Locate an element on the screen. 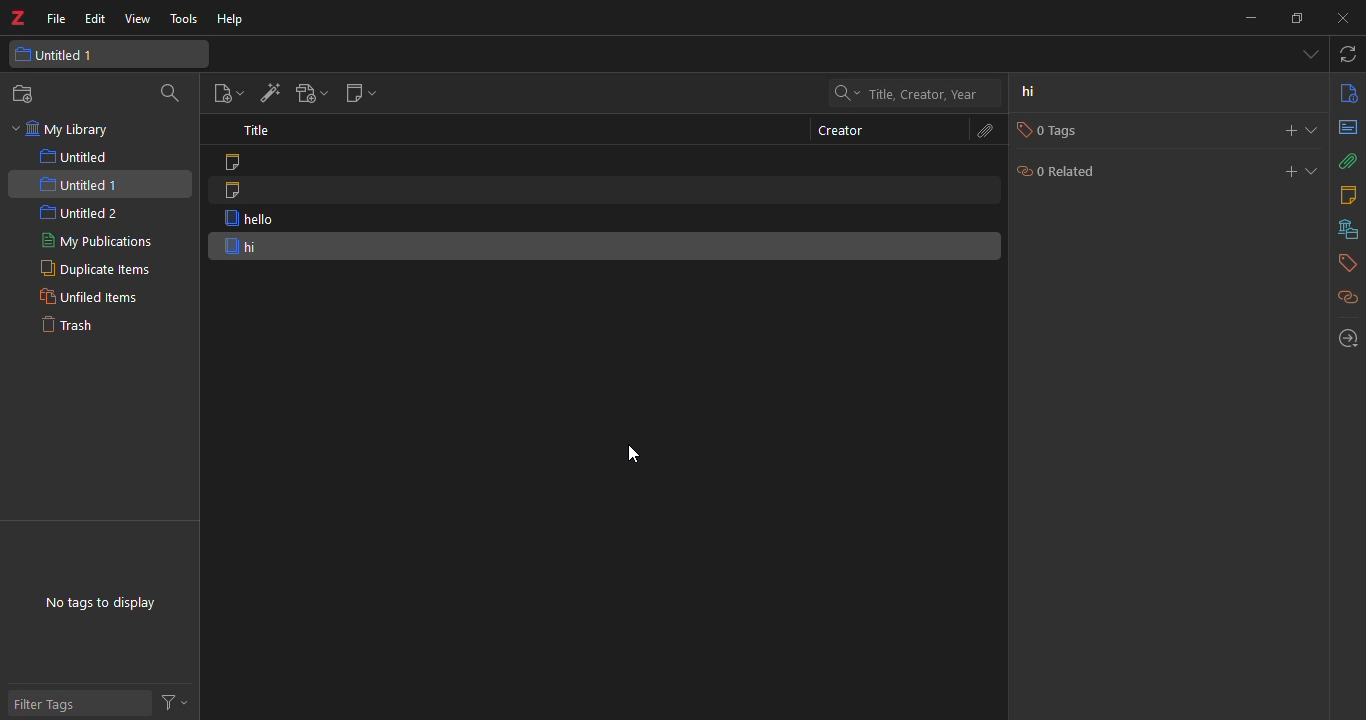 The image size is (1366, 720). add item is located at coordinates (271, 93).